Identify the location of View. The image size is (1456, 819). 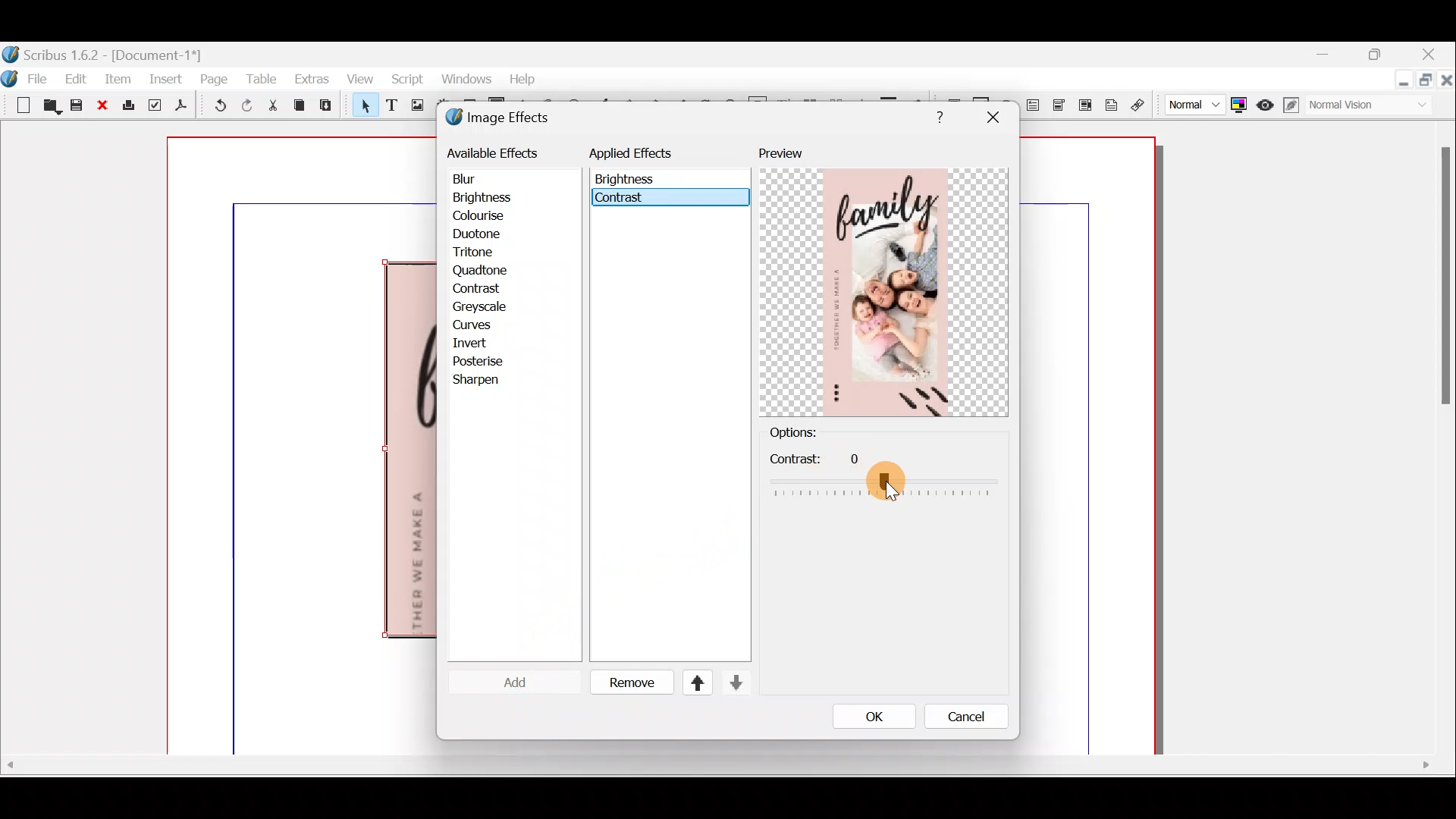
(358, 80).